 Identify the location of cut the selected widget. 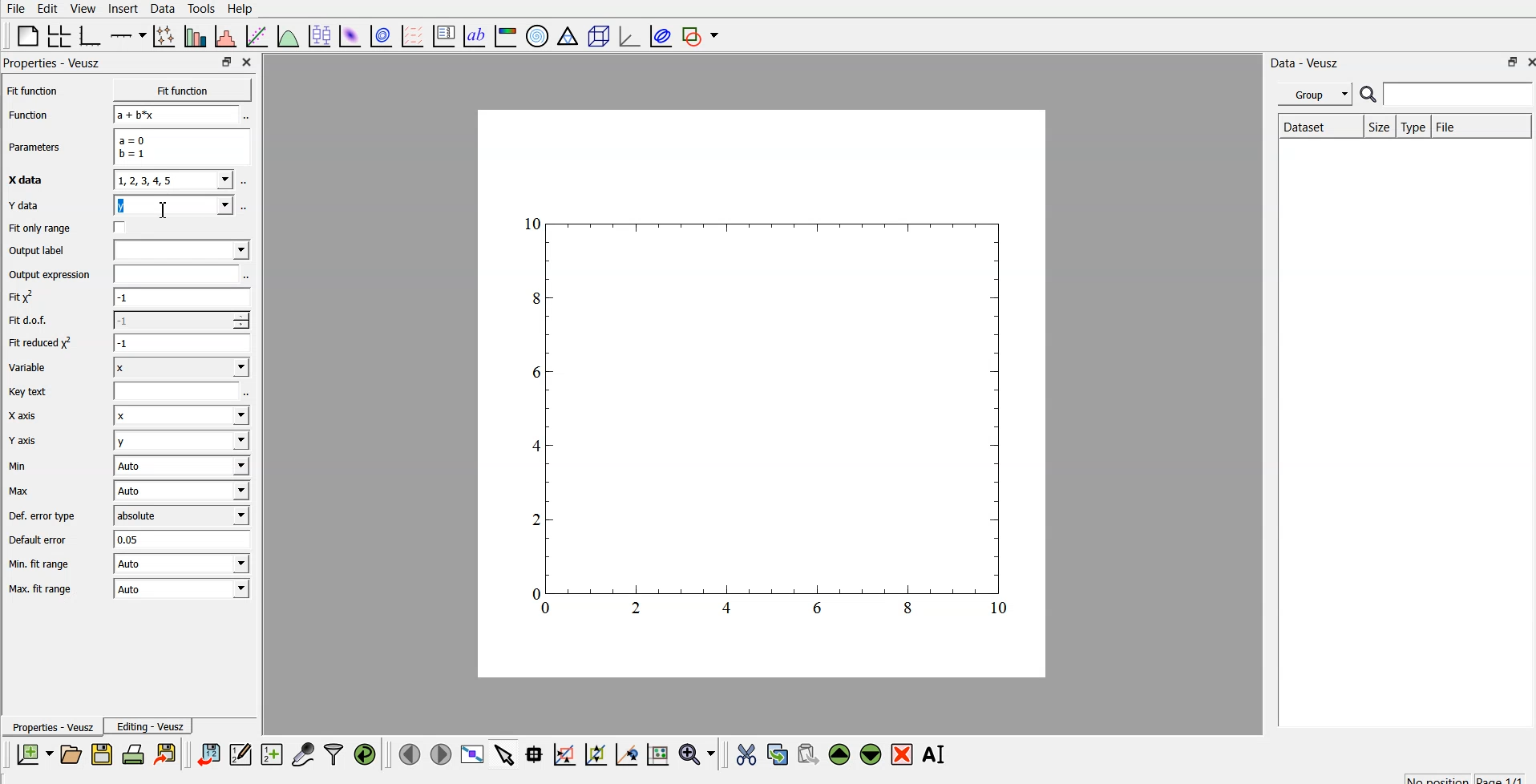
(745, 757).